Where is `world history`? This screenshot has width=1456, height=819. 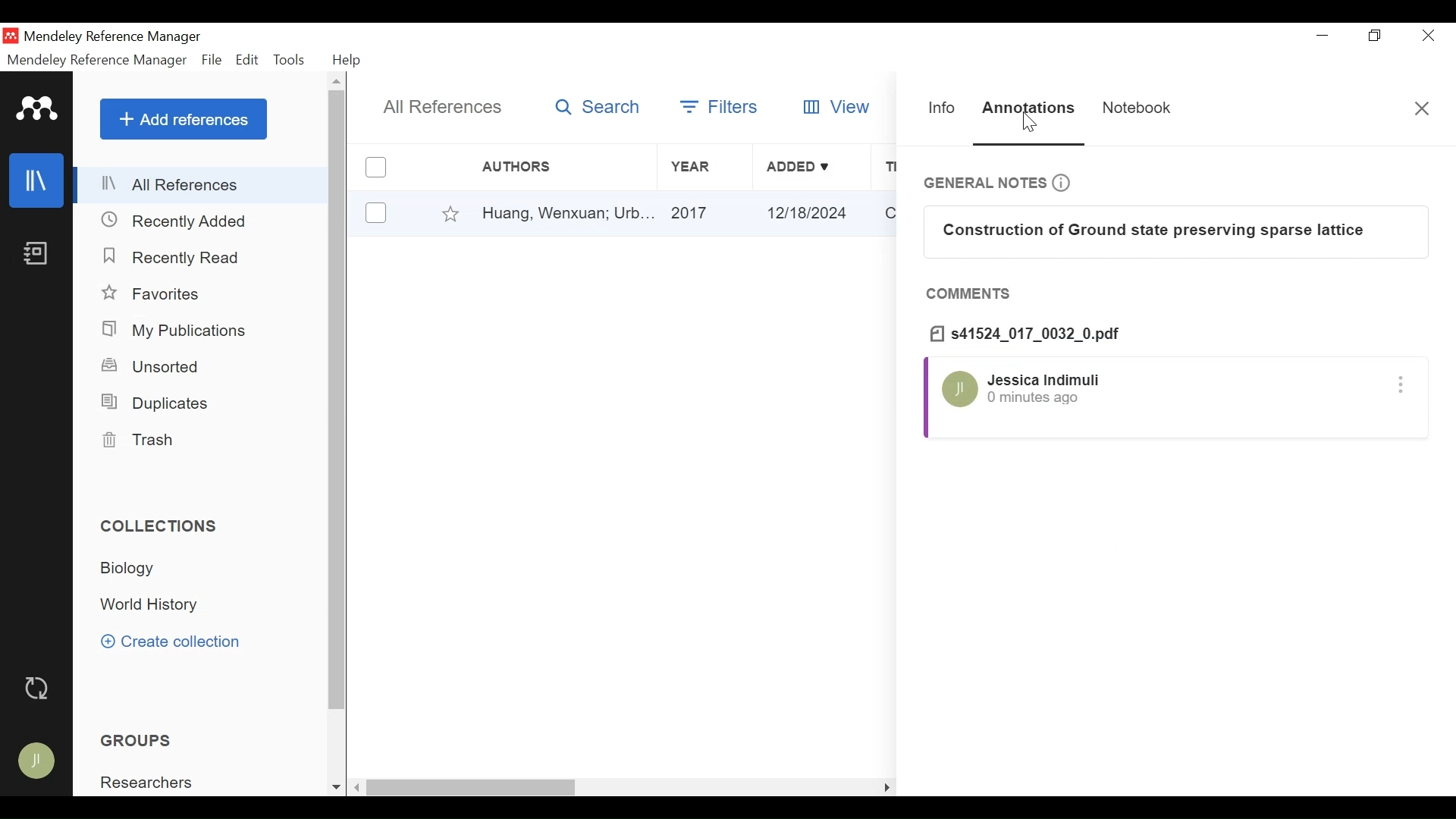
world history is located at coordinates (152, 605).